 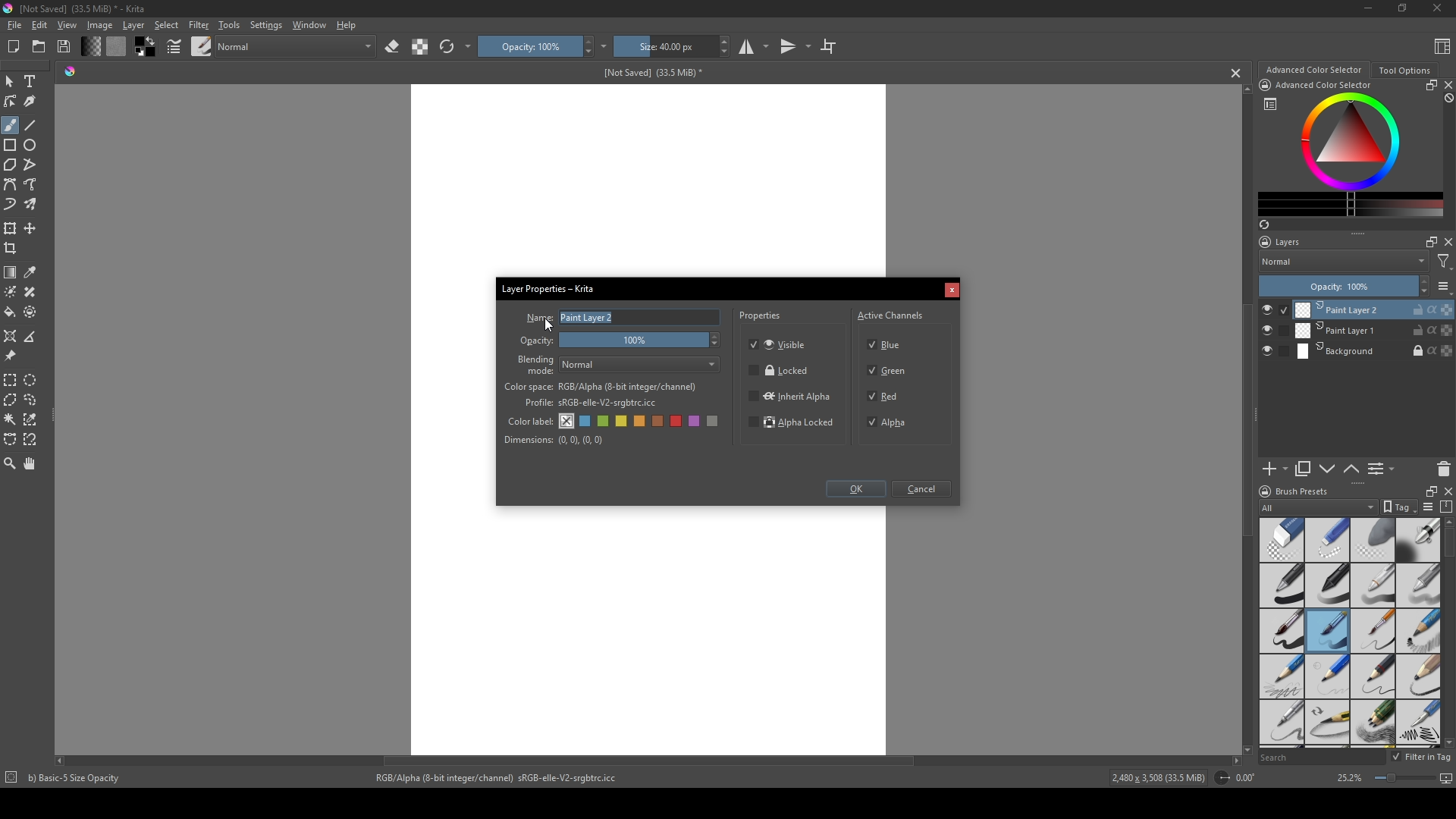 What do you see at coordinates (1250, 778) in the screenshot?
I see `0.00` at bounding box center [1250, 778].